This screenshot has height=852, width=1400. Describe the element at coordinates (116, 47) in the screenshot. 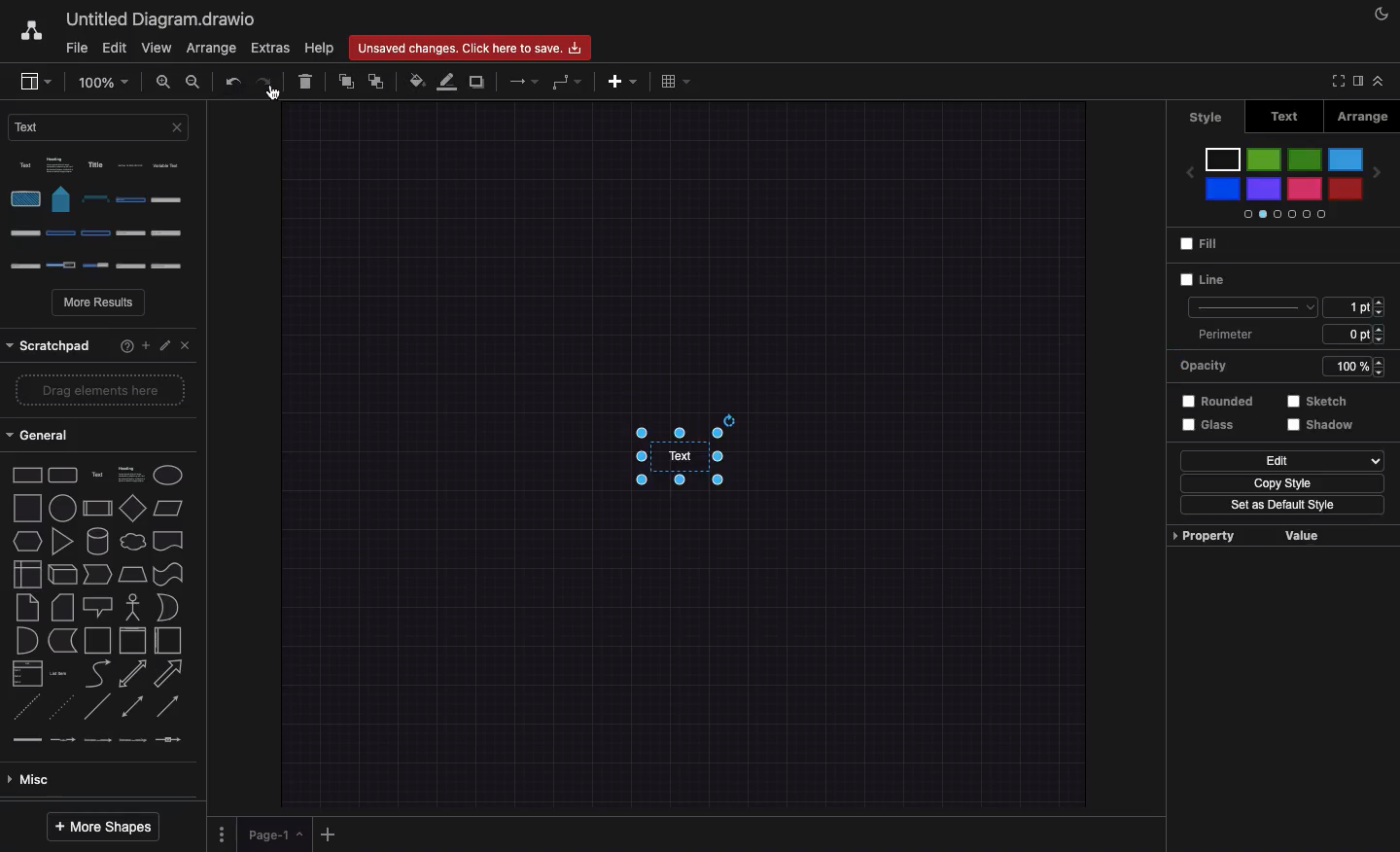

I see `Edit` at that location.